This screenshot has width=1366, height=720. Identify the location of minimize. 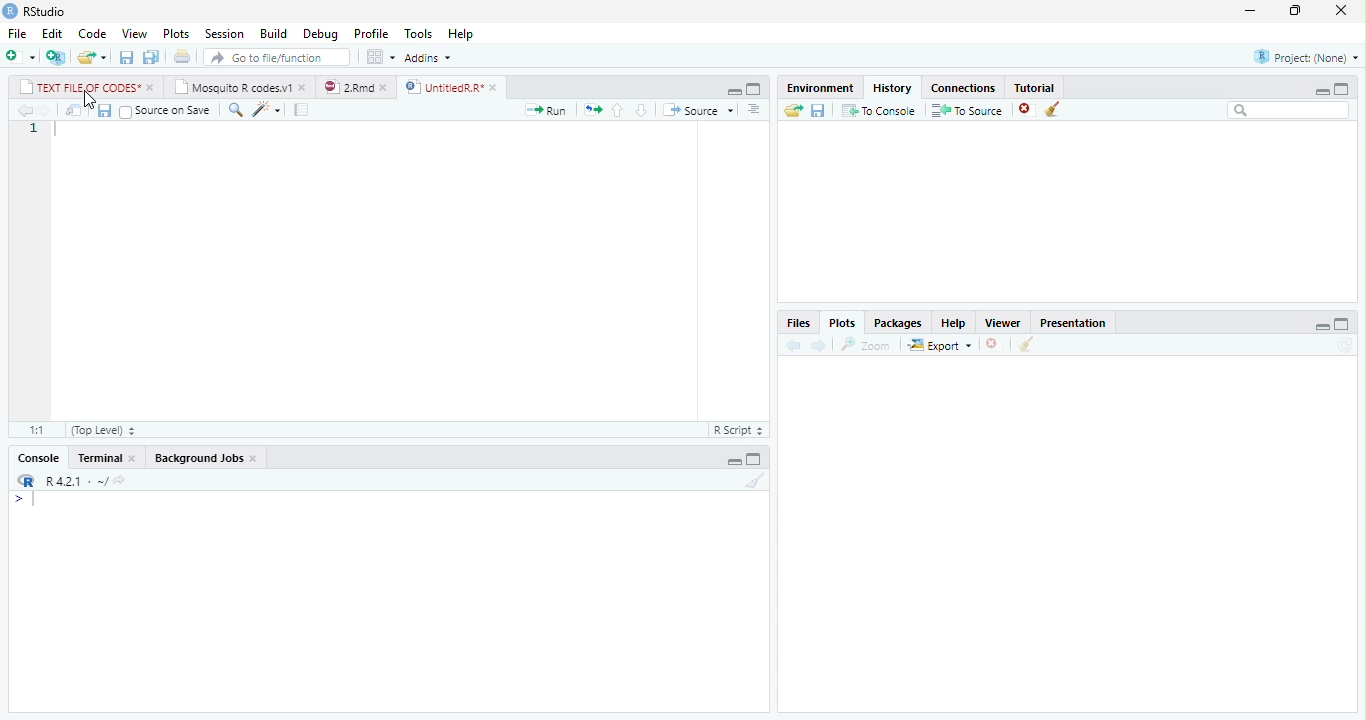
(1321, 91).